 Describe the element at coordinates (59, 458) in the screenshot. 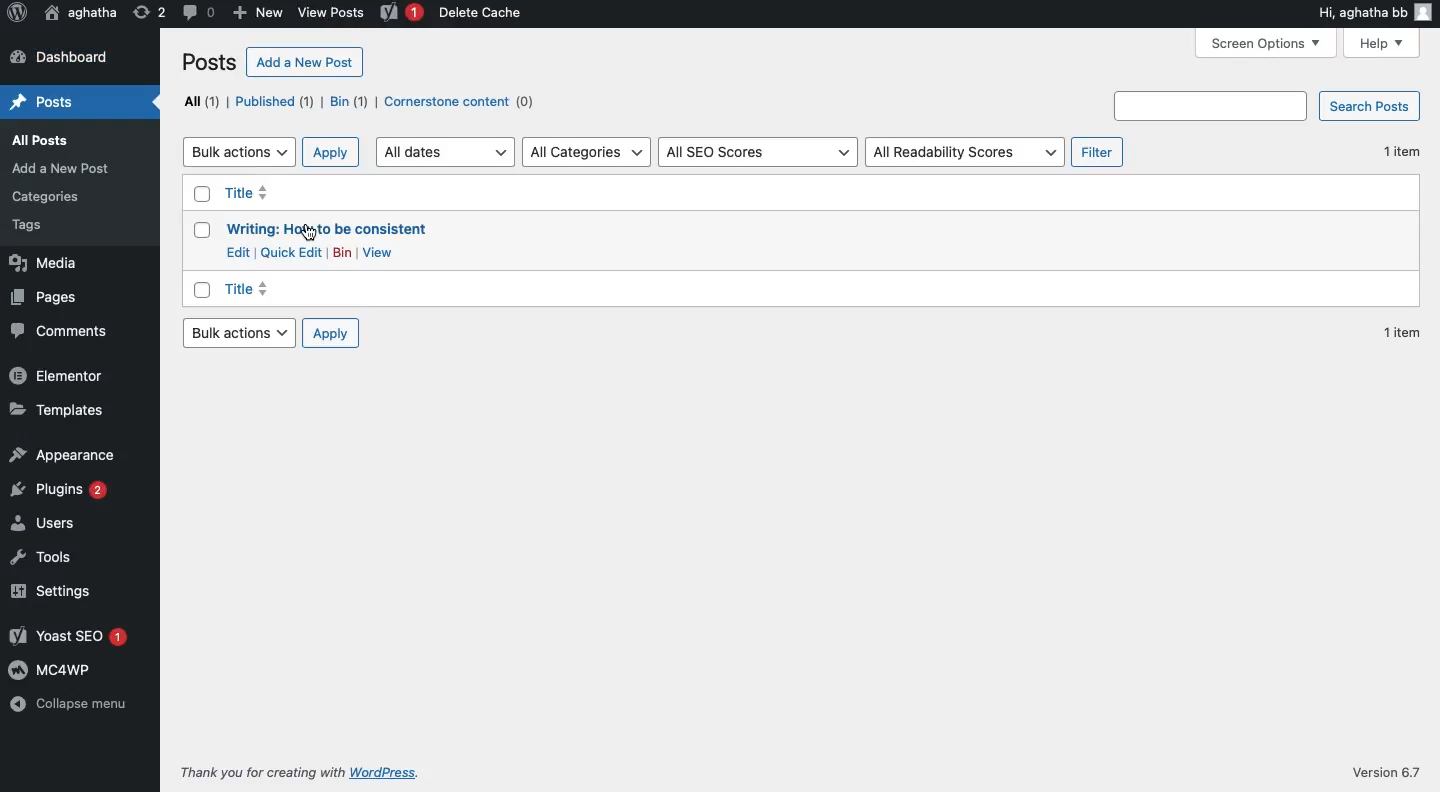

I see `Appearance` at that location.